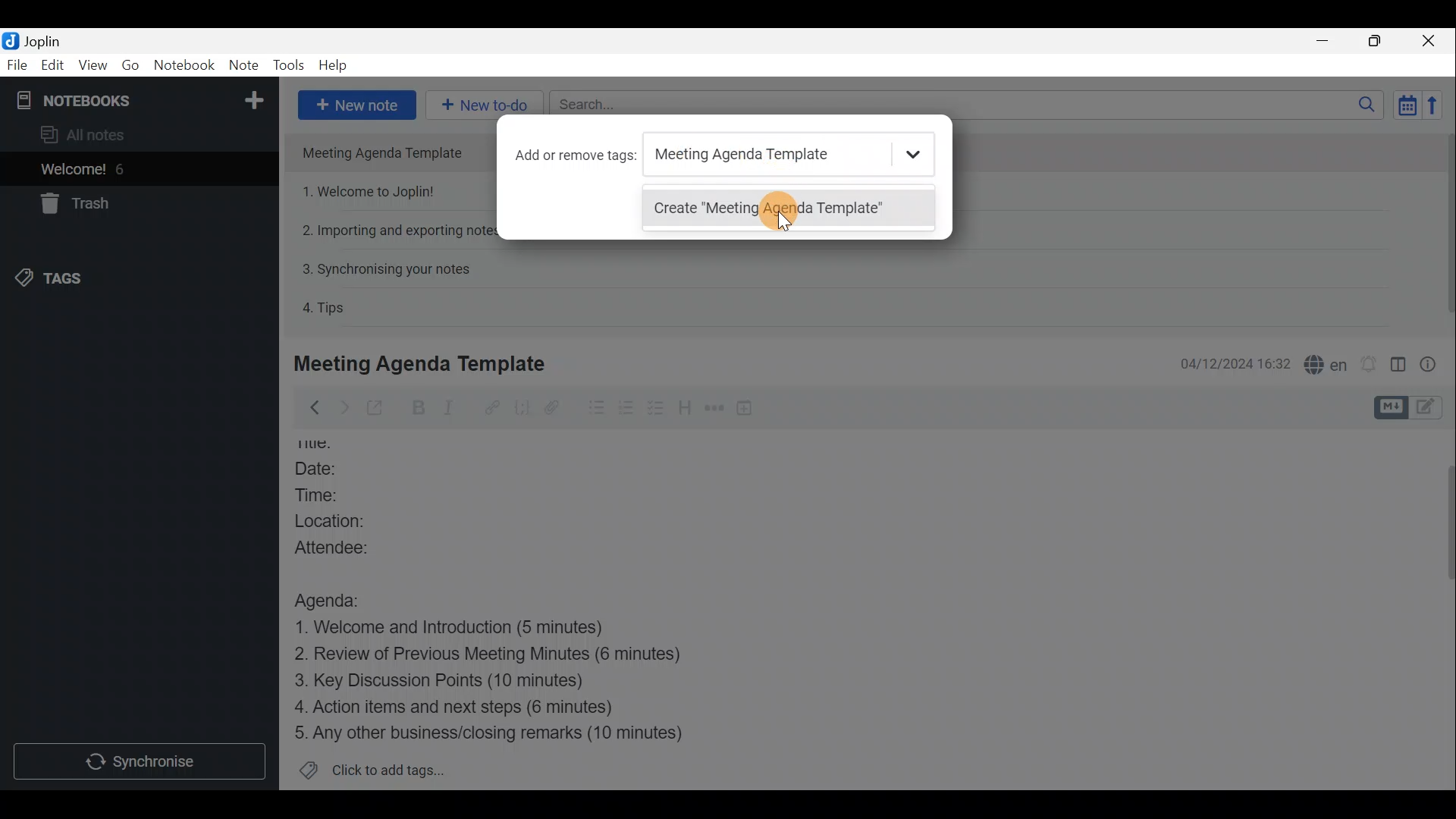 This screenshot has width=1456, height=819. What do you see at coordinates (108, 134) in the screenshot?
I see `All notes` at bounding box center [108, 134].